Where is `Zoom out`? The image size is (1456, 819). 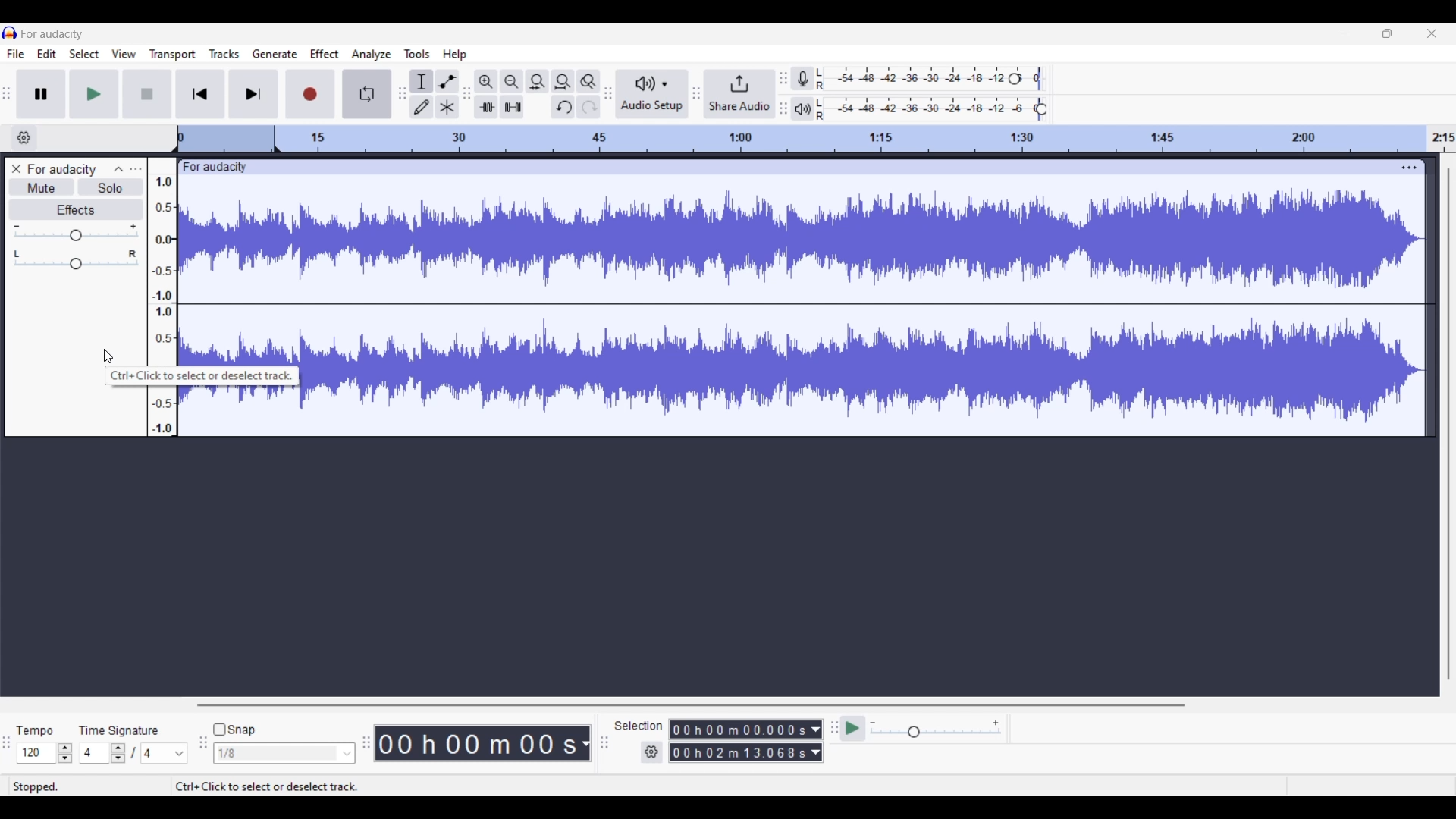
Zoom out is located at coordinates (511, 81).